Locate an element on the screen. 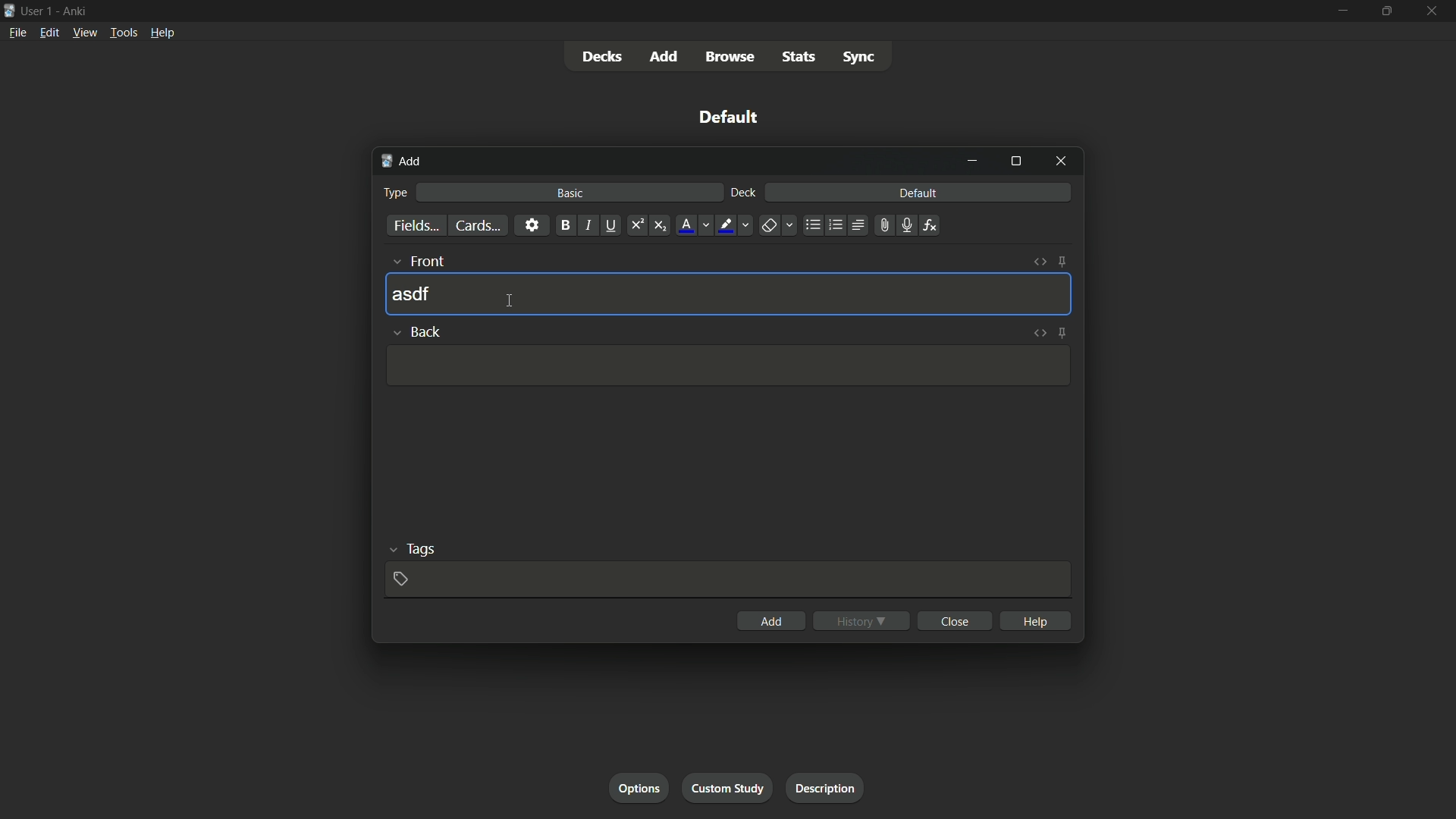 The height and width of the screenshot is (819, 1456). underline is located at coordinates (611, 225).